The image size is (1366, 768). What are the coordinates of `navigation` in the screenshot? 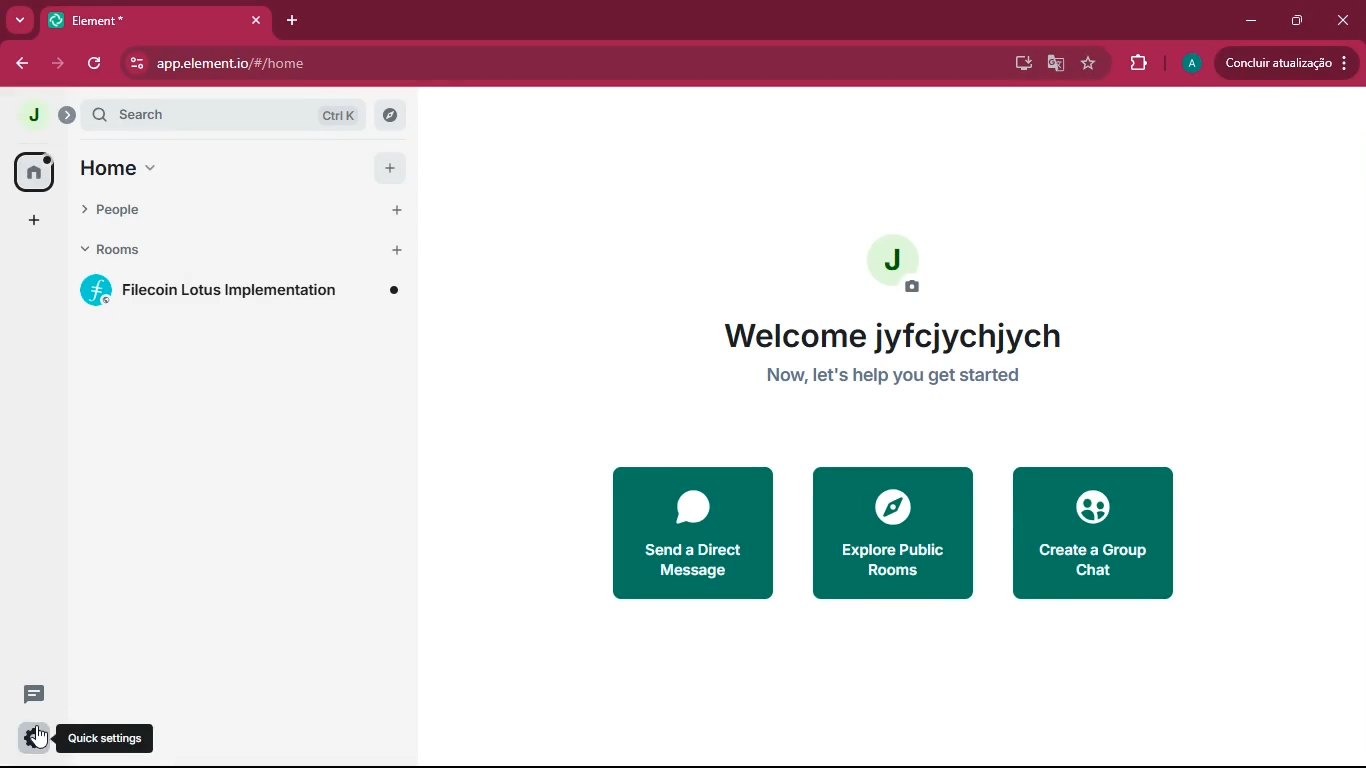 It's located at (1088, 64).